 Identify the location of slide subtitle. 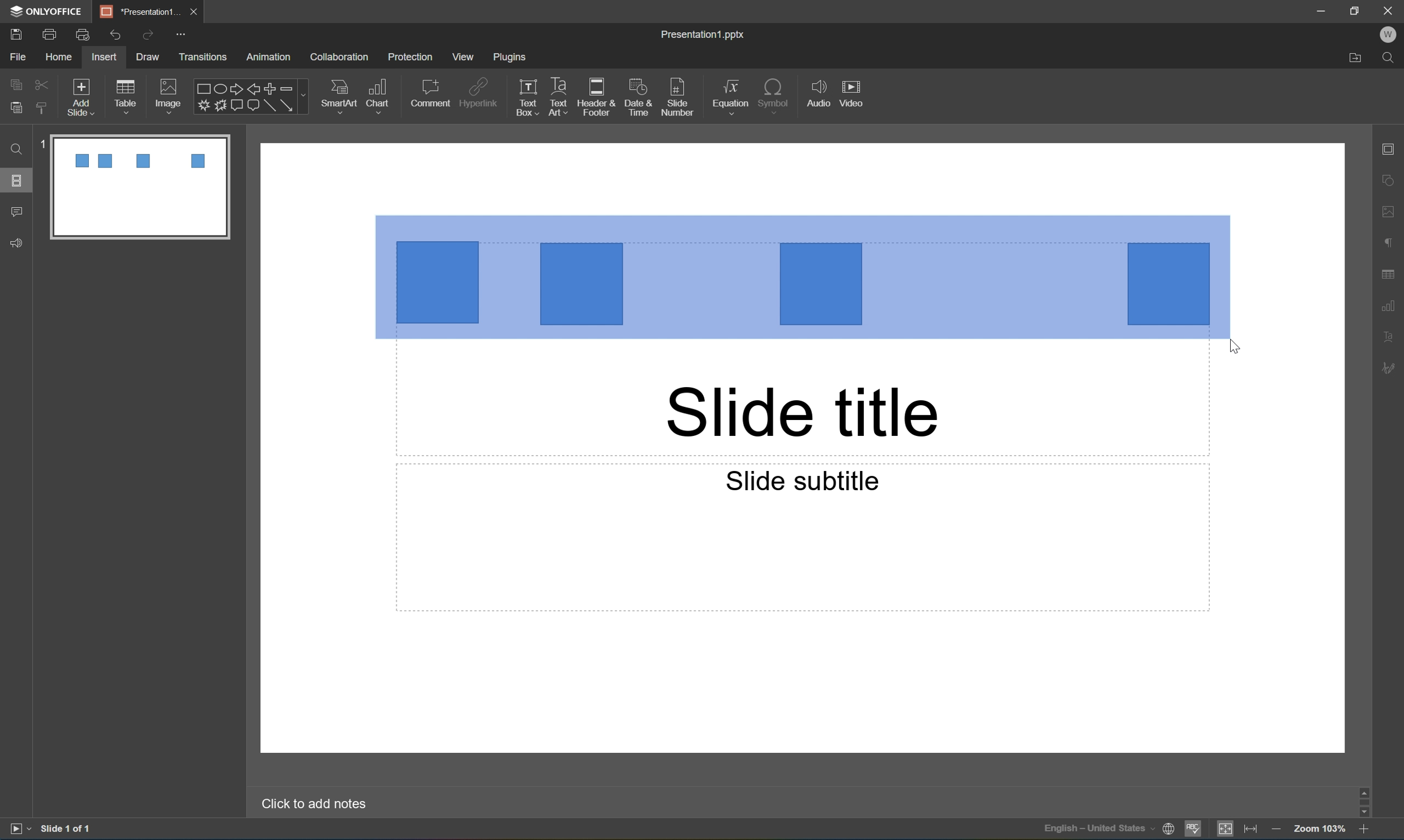
(801, 480).